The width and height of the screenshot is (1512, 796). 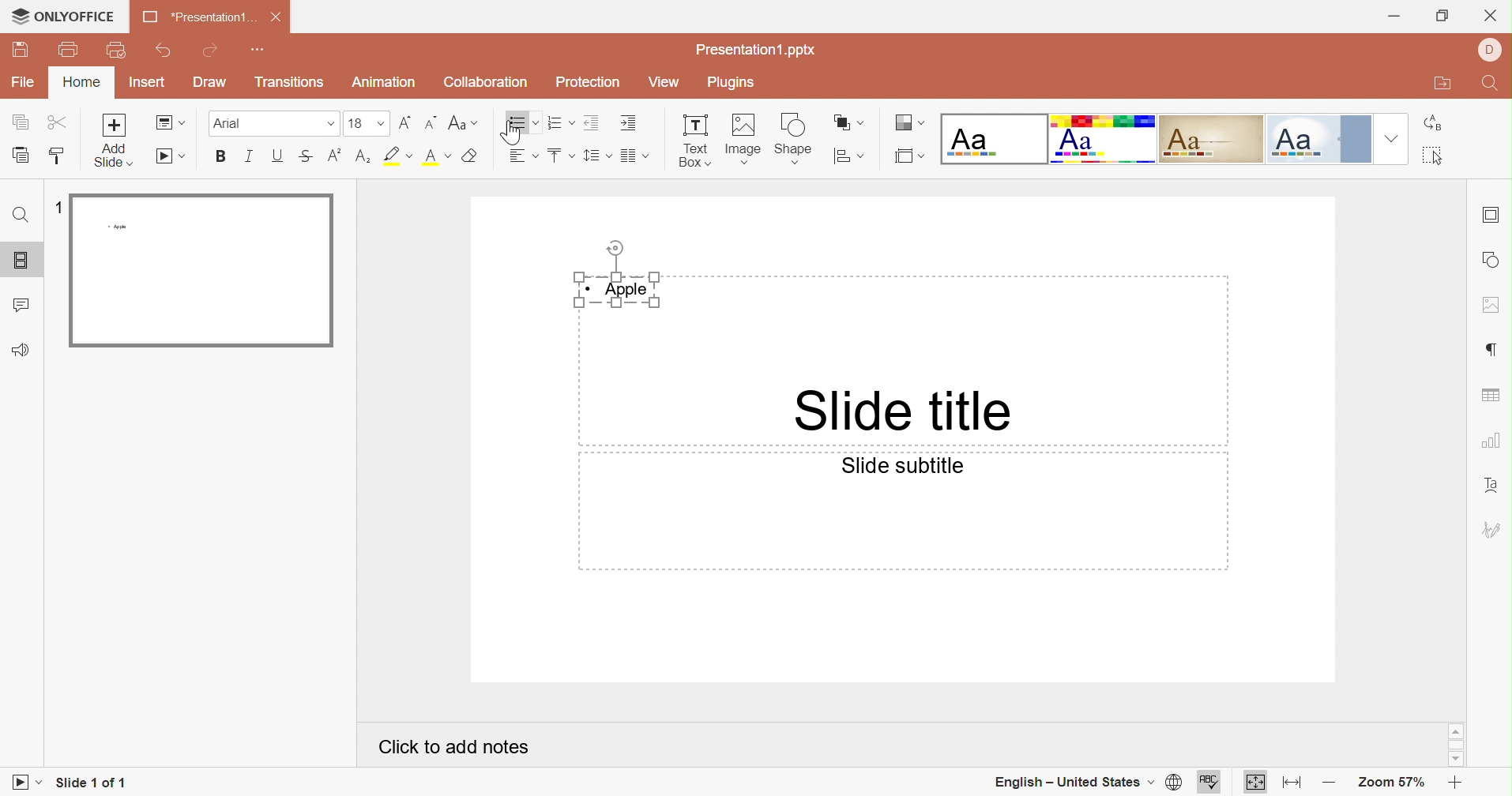 I want to click on Superscript / subscript, so click(x=439, y=157).